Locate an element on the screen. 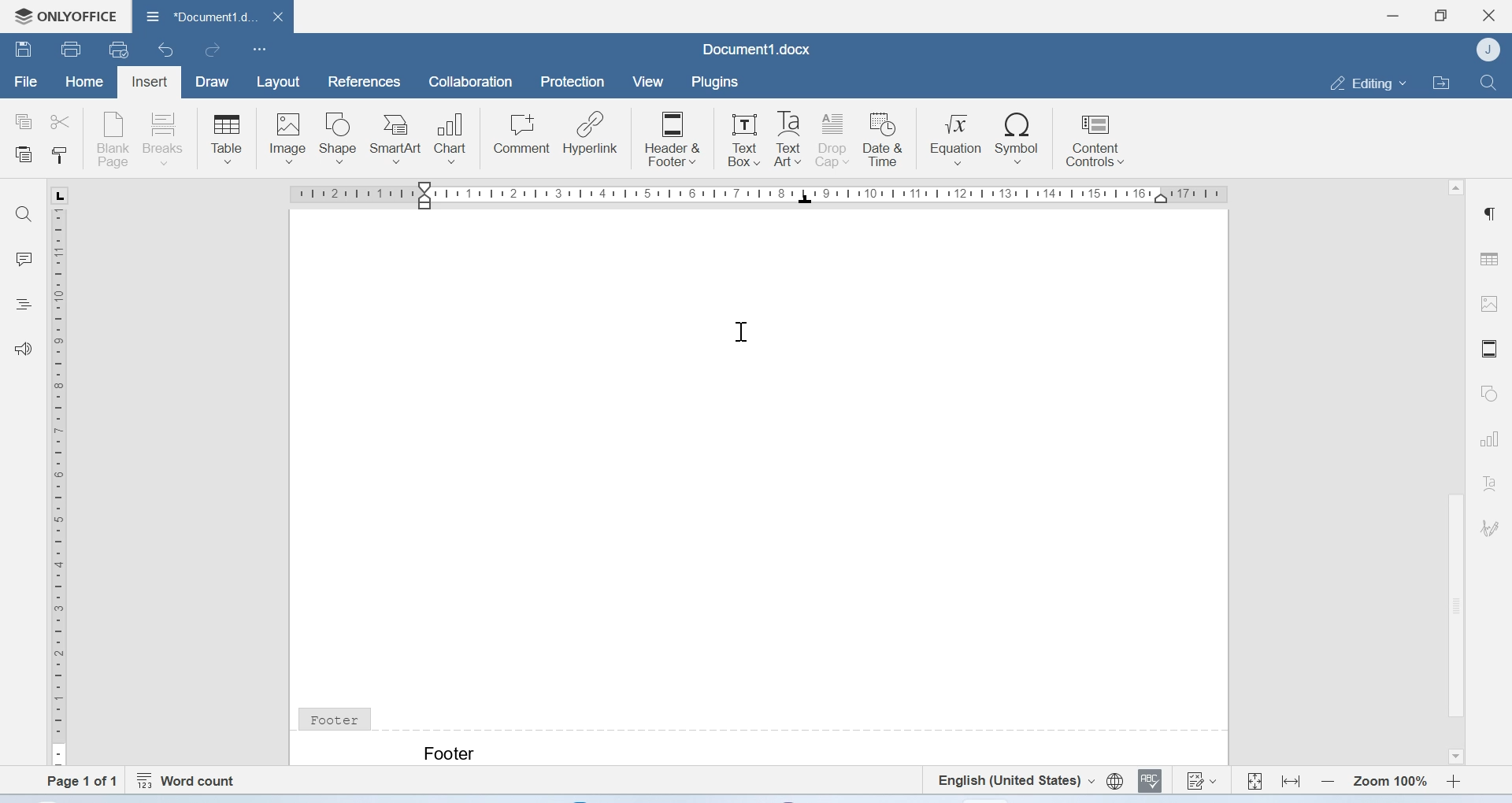 This screenshot has width=1512, height=803. Scale is located at coordinates (762, 194).